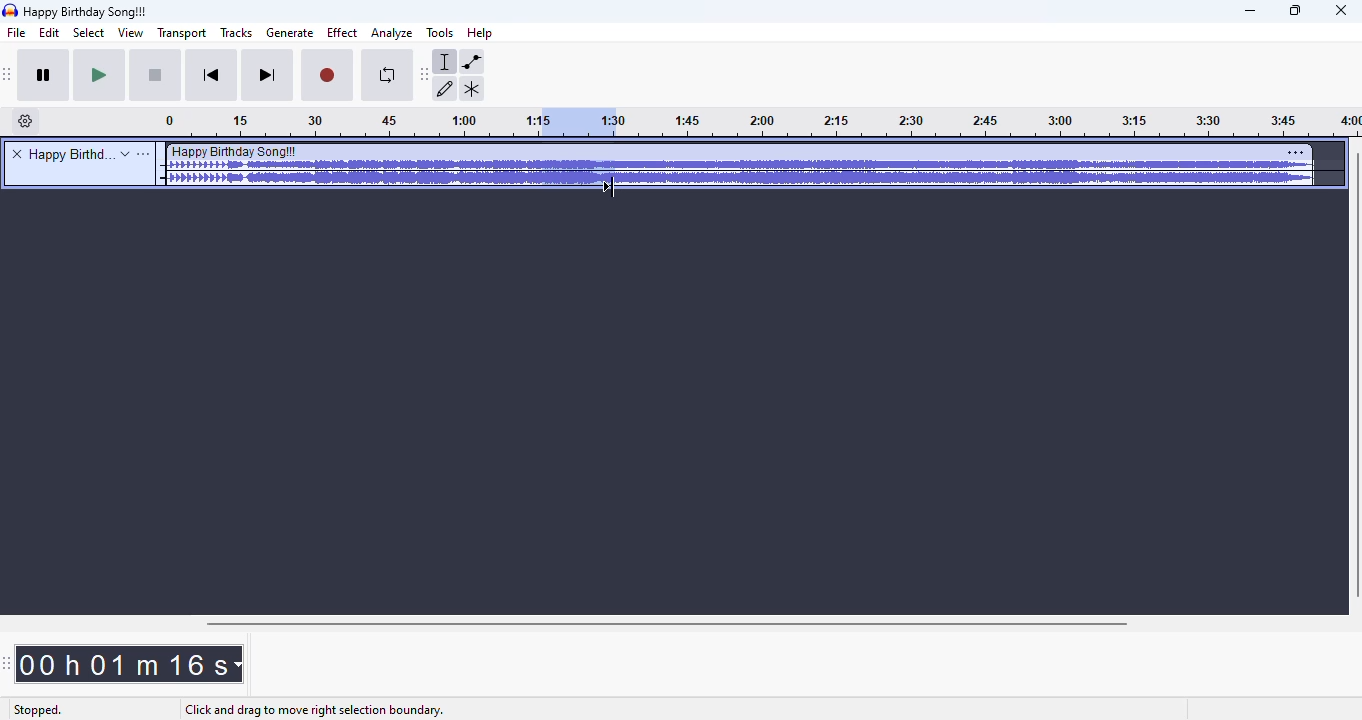 The height and width of the screenshot is (720, 1362). I want to click on envelope tool, so click(472, 62).